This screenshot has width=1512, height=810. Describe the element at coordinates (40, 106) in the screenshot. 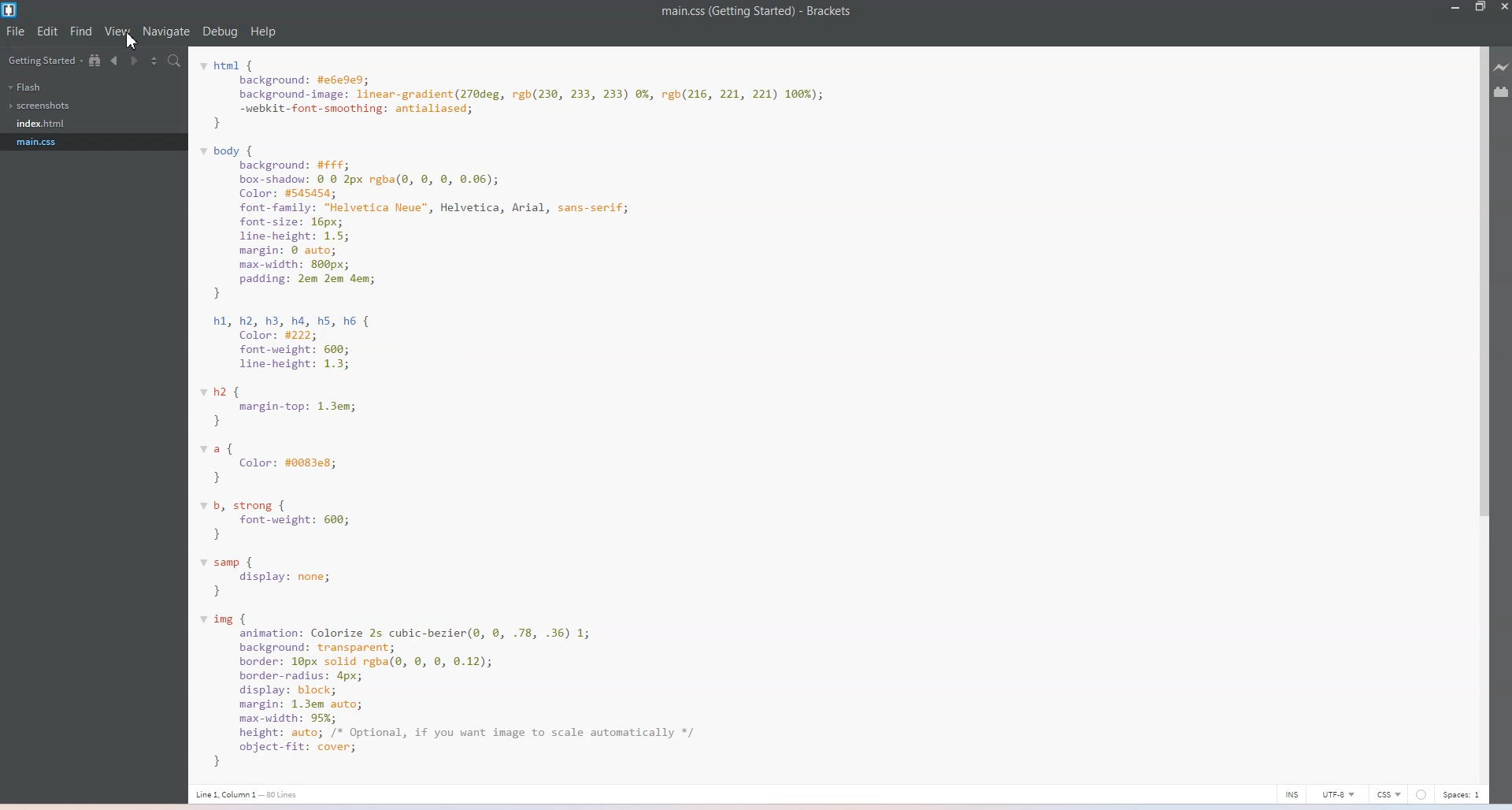

I see `Screenshots` at that location.